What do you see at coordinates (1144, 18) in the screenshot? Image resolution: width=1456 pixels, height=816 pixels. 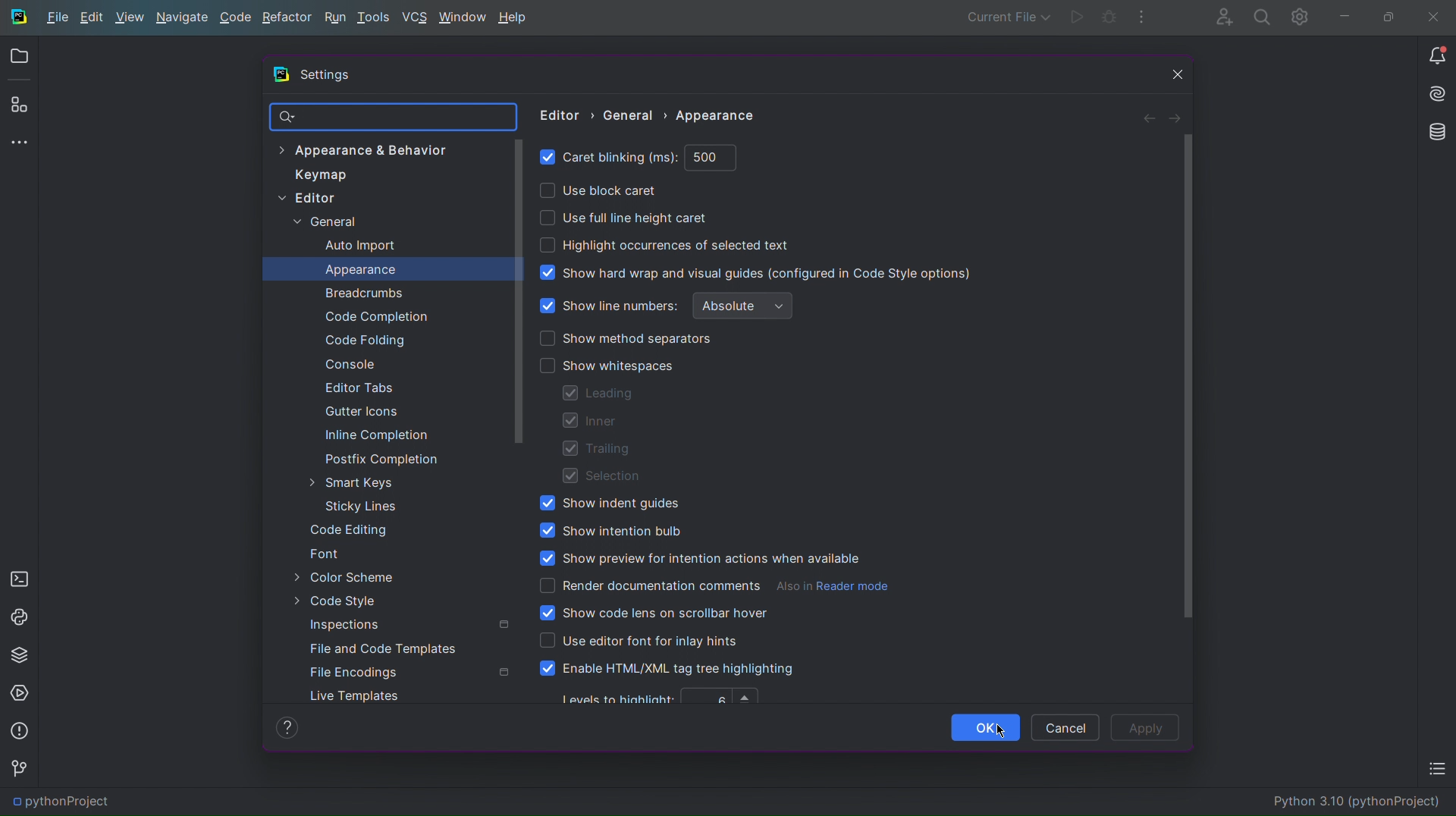 I see `More` at bounding box center [1144, 18].